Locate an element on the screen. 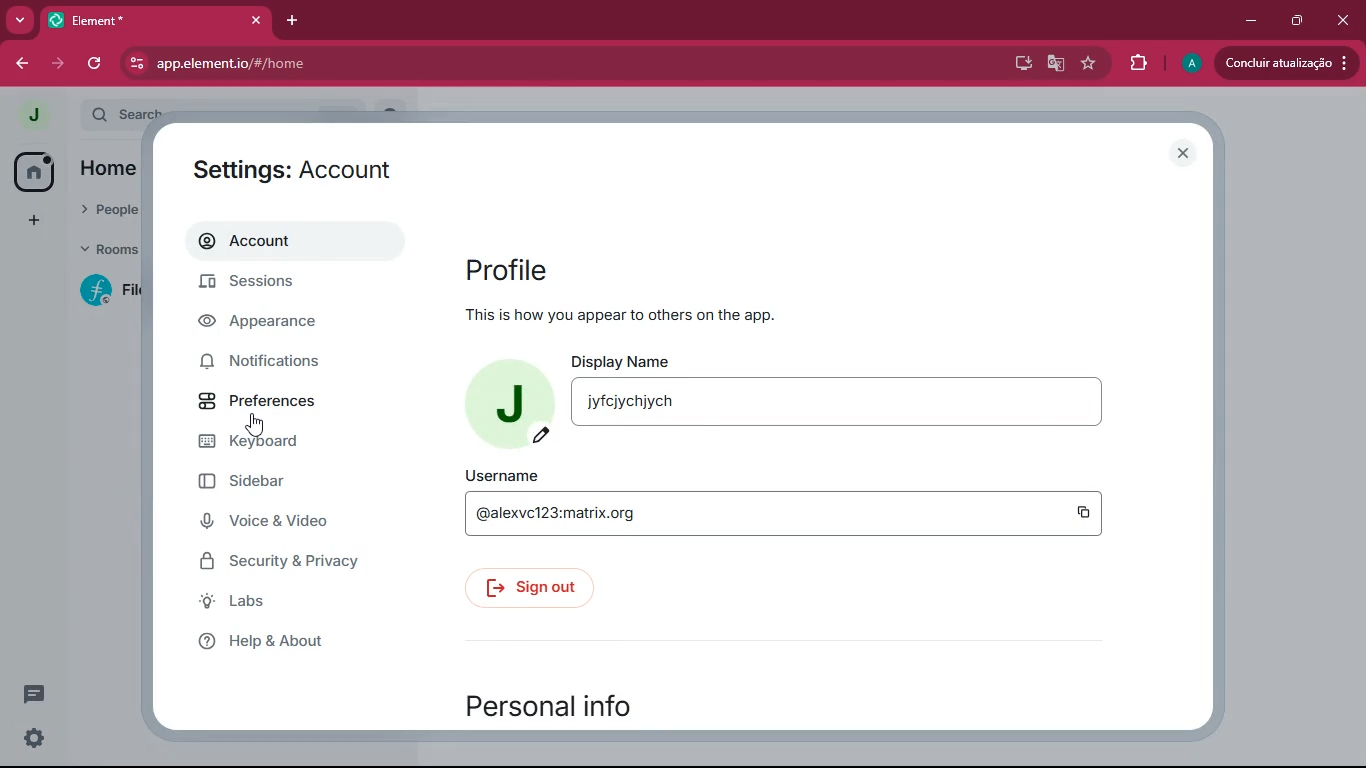 The width and height of the screenshot is (1366, 768). profile this is how you appear to others on the app is located at coordinates (646, 286).